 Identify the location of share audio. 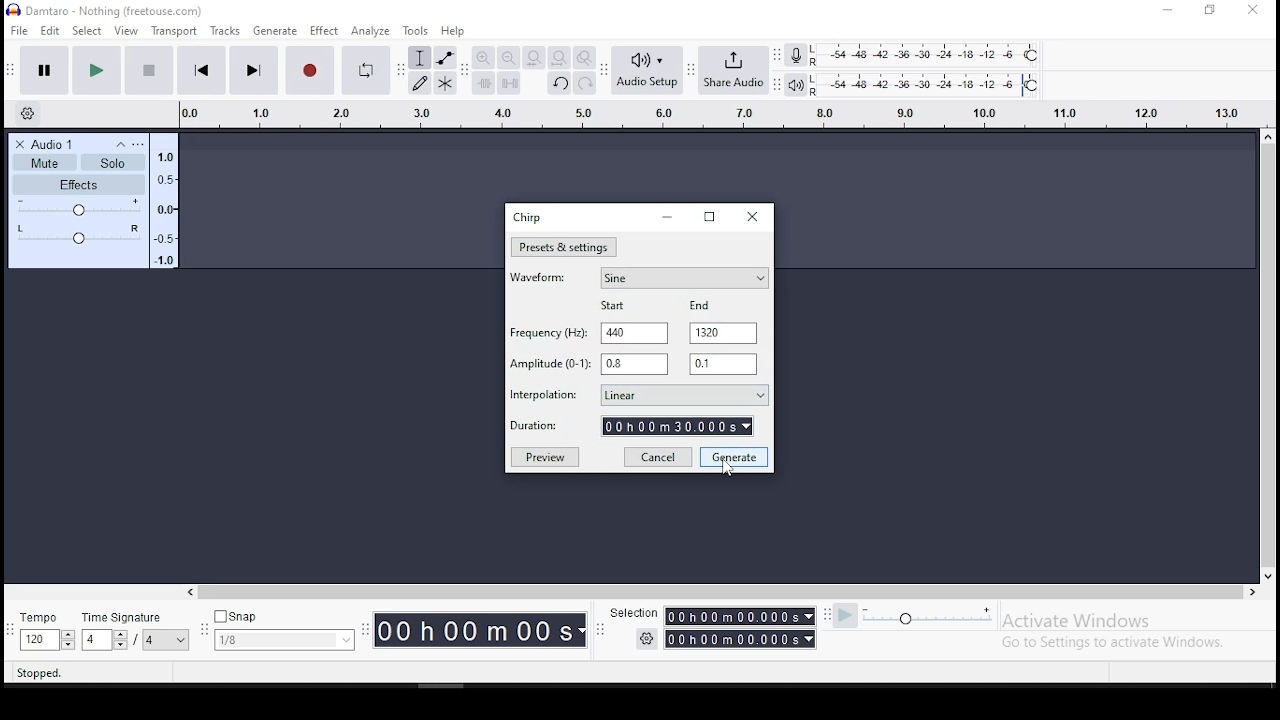
(735, 71).